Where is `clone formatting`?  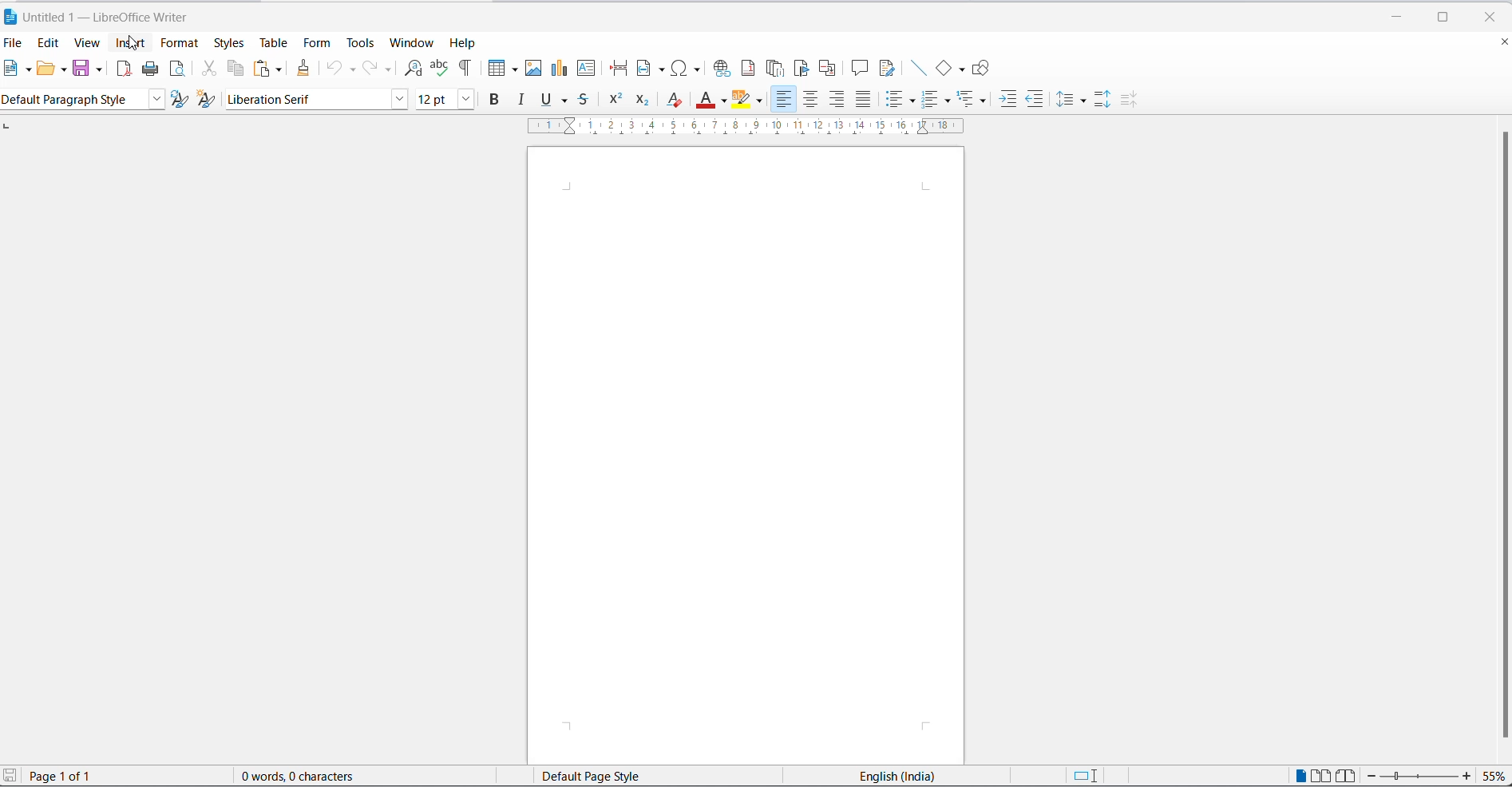
clone formatting is located at coordinates (303, 69).